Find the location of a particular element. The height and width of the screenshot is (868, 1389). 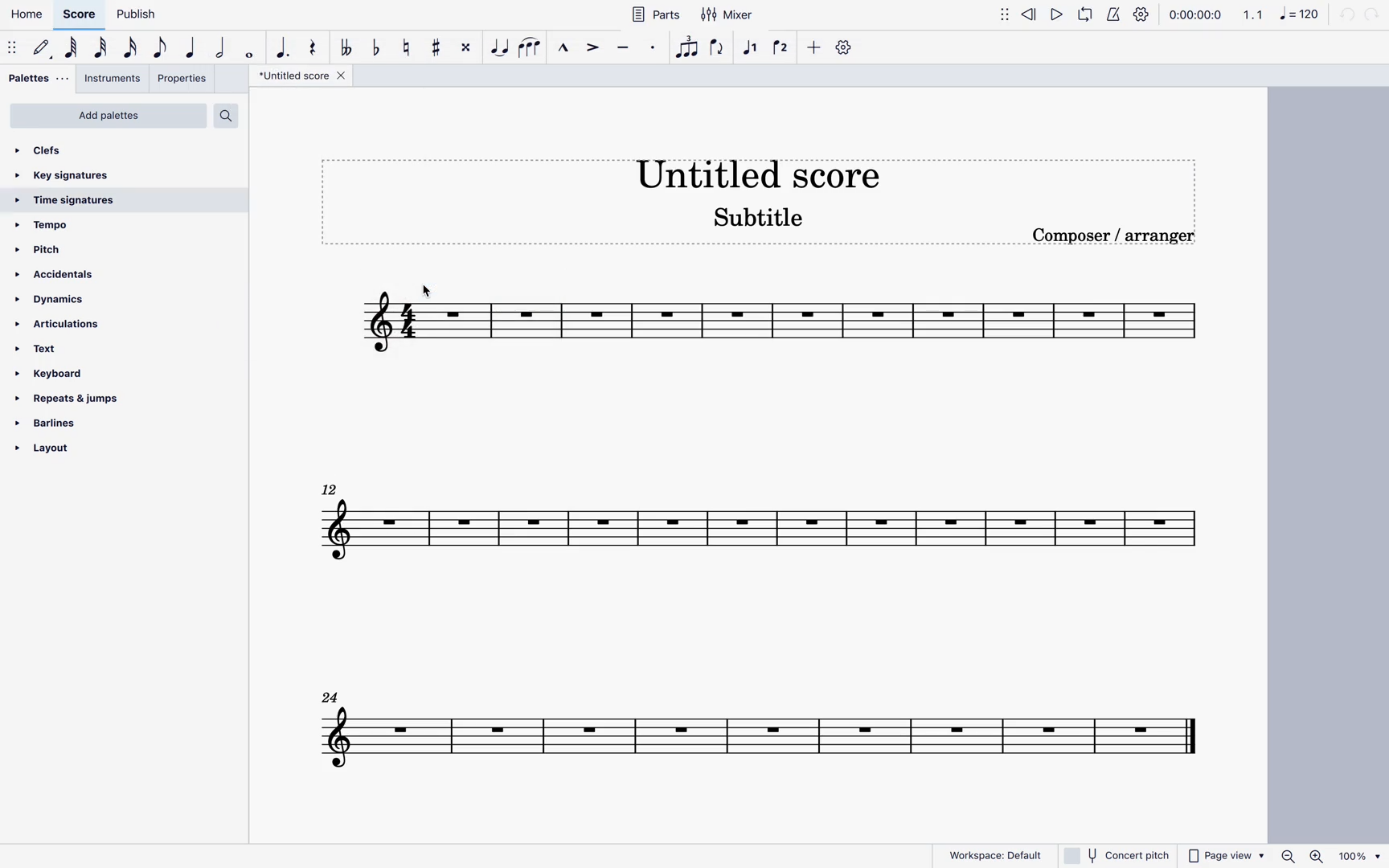

half note is located at coordinates (219, 51).